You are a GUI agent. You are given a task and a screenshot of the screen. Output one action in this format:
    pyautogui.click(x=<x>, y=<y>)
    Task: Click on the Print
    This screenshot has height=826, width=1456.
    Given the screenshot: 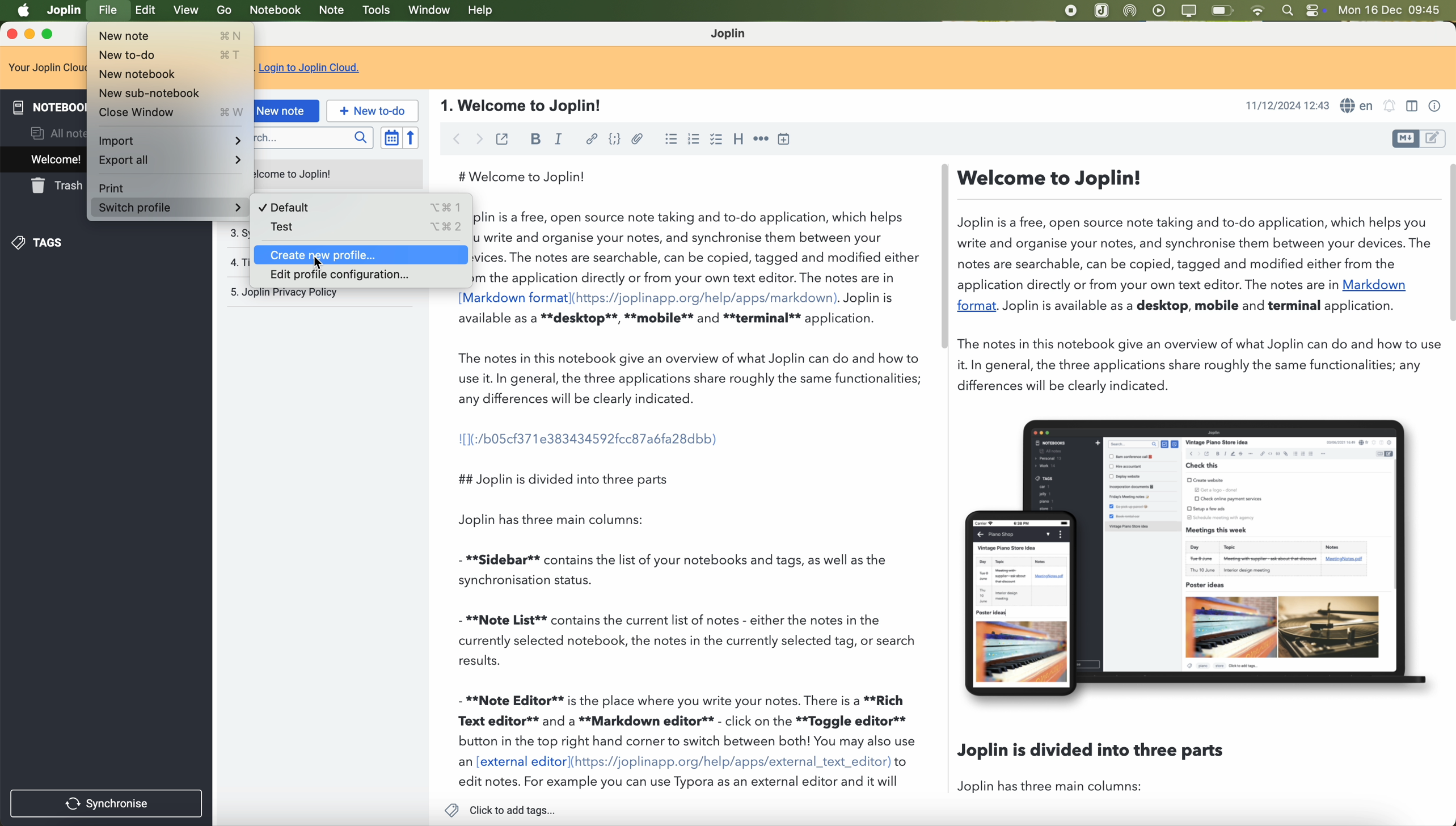 What is the action you would take?
    pyautogui.click(x=168, y=186)
    